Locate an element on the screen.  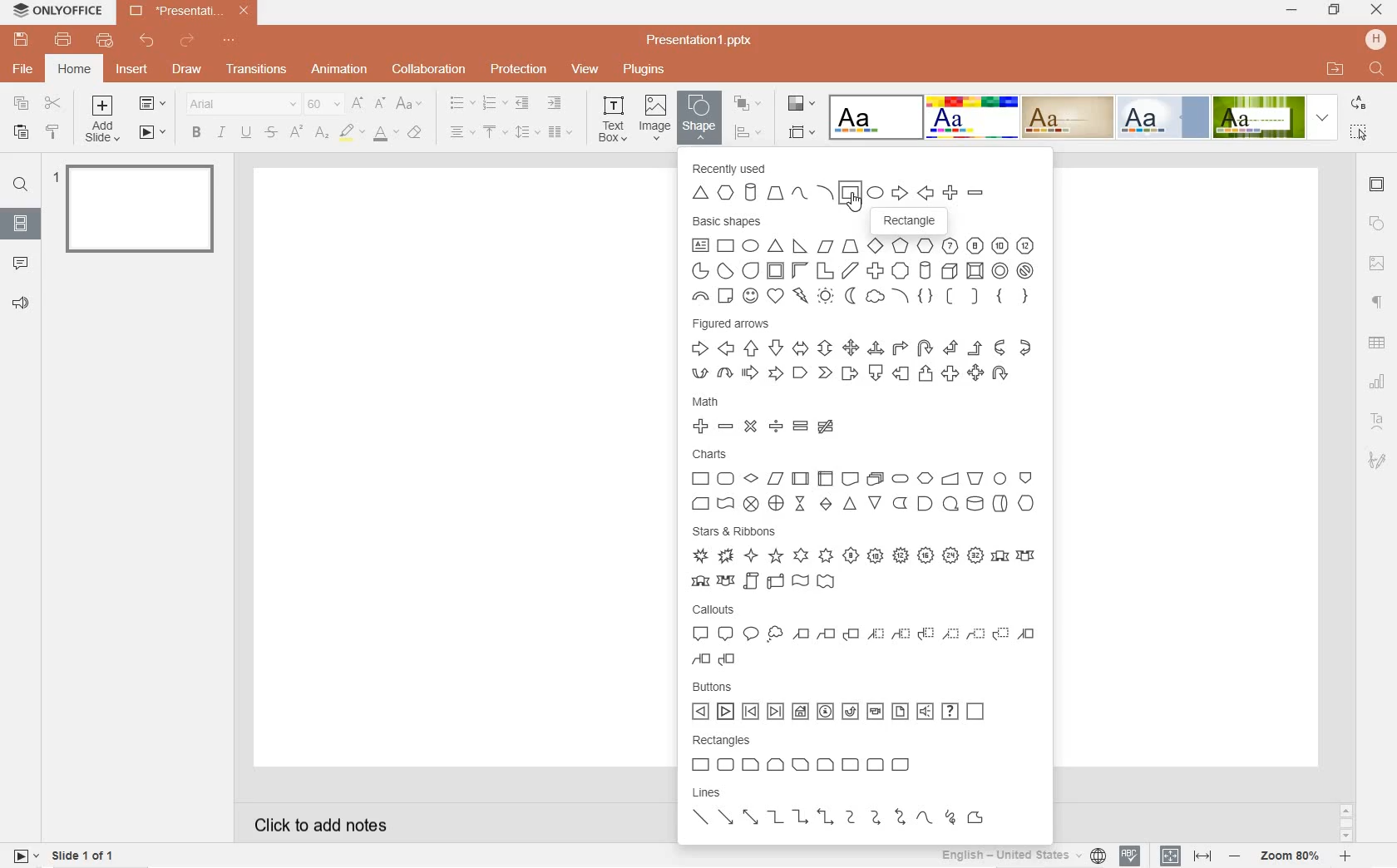
FIND is located at coordinates (1378, 70).